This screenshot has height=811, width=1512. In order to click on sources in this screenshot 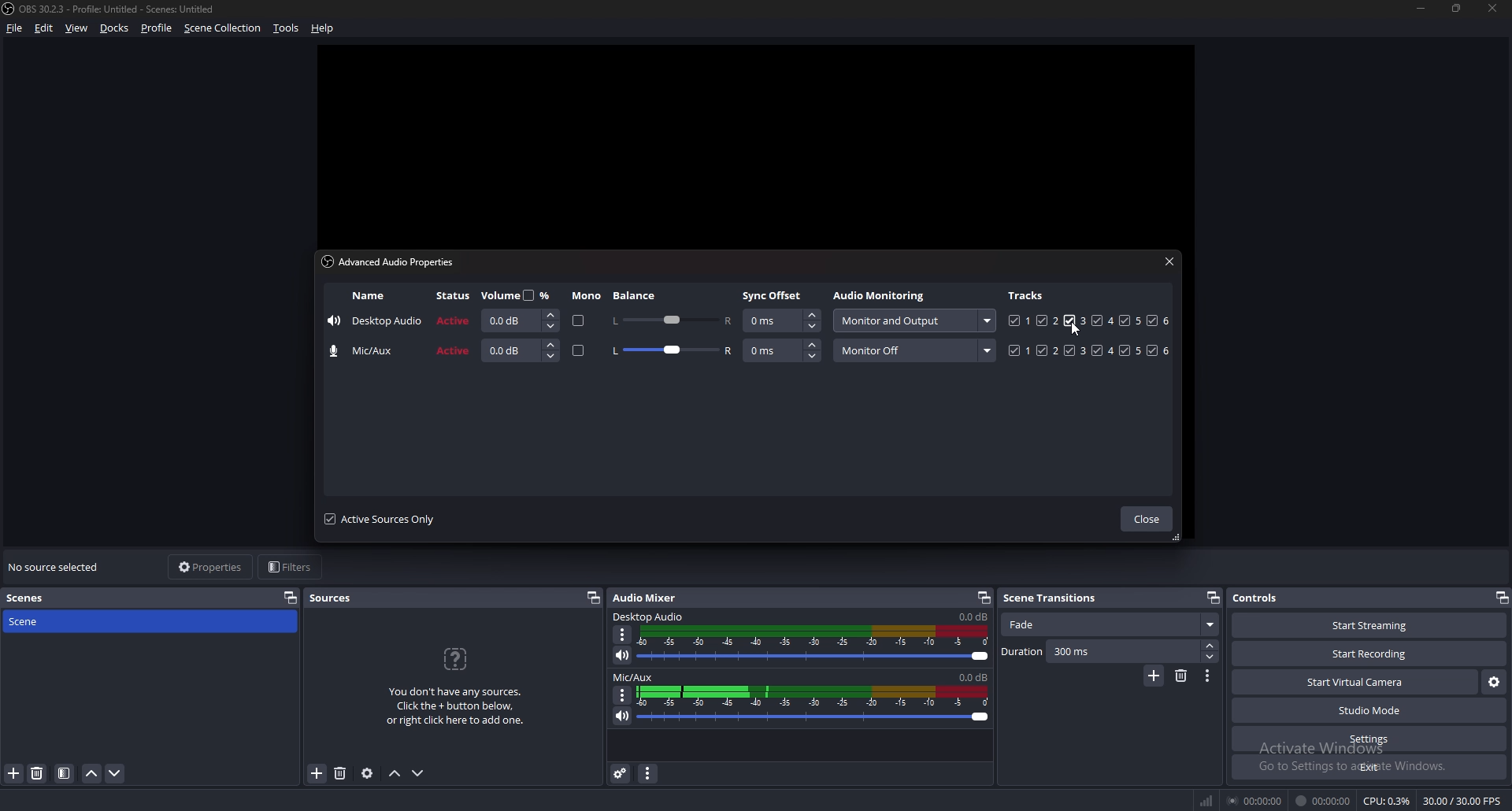, I will do `click(337, 598)`.